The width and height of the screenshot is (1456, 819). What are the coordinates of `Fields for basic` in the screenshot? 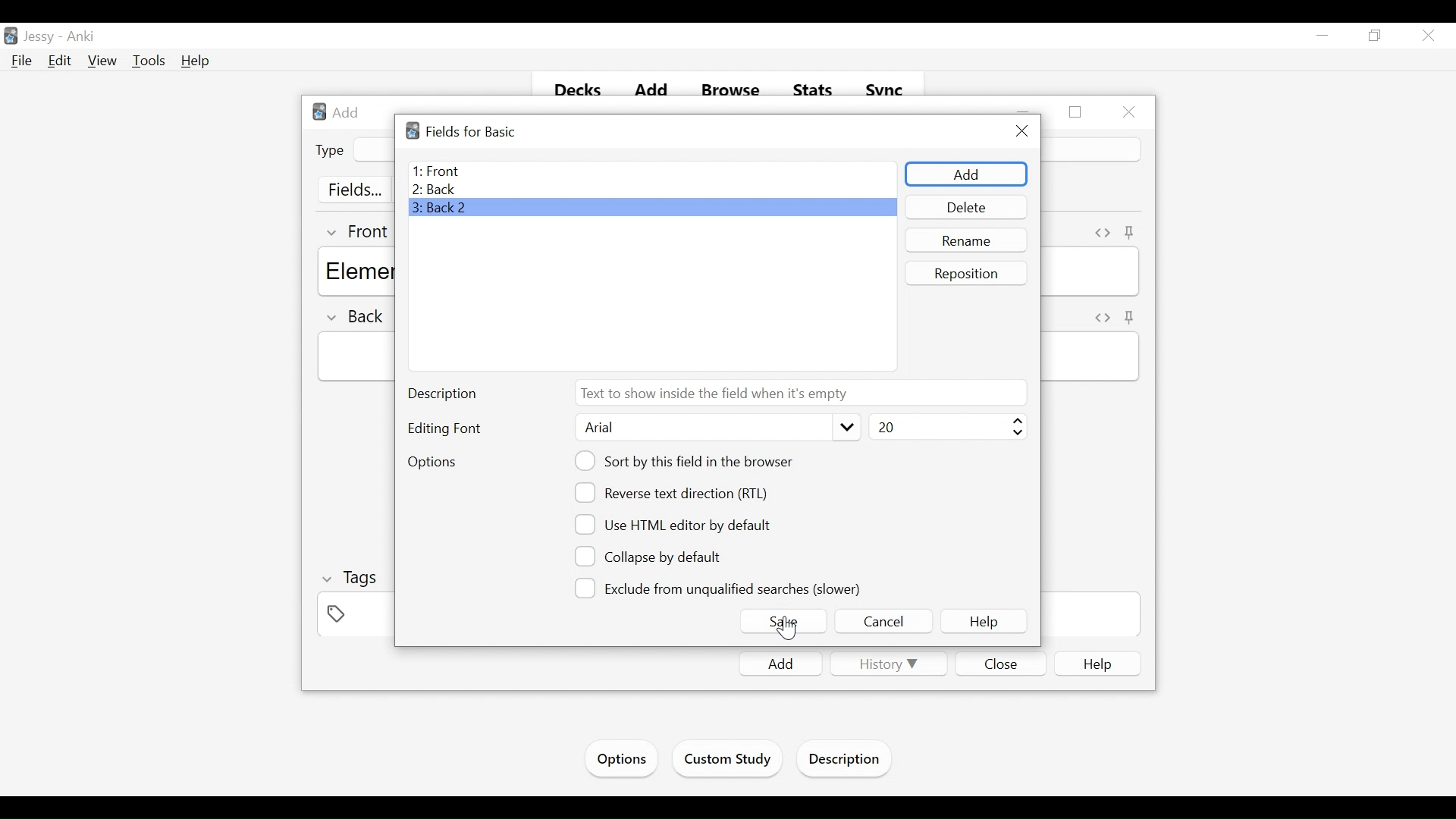 It's located at (463, 130).